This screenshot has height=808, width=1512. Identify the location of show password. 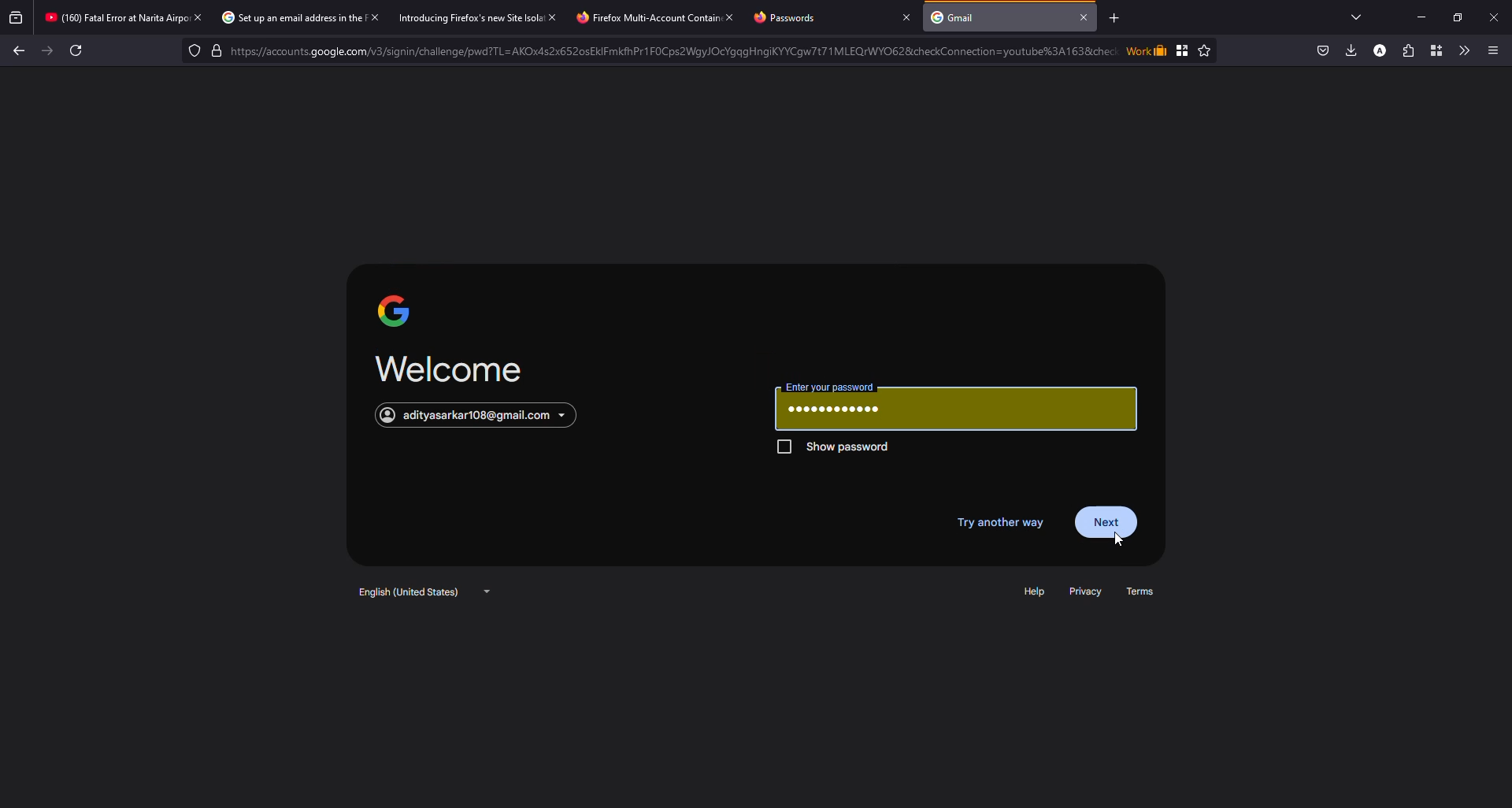
(854, 448).